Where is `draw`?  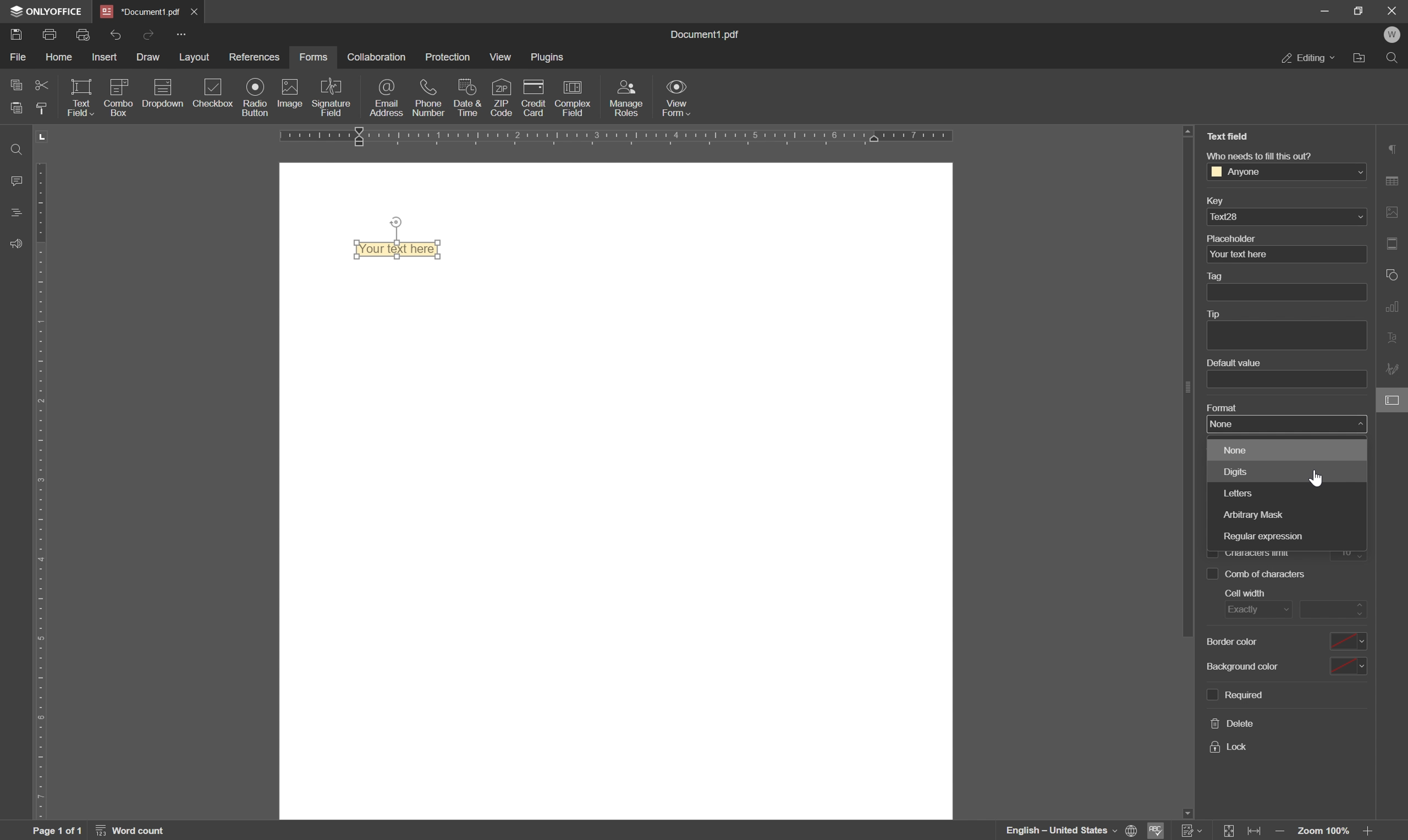
draw is located at coordinates (148, 55).